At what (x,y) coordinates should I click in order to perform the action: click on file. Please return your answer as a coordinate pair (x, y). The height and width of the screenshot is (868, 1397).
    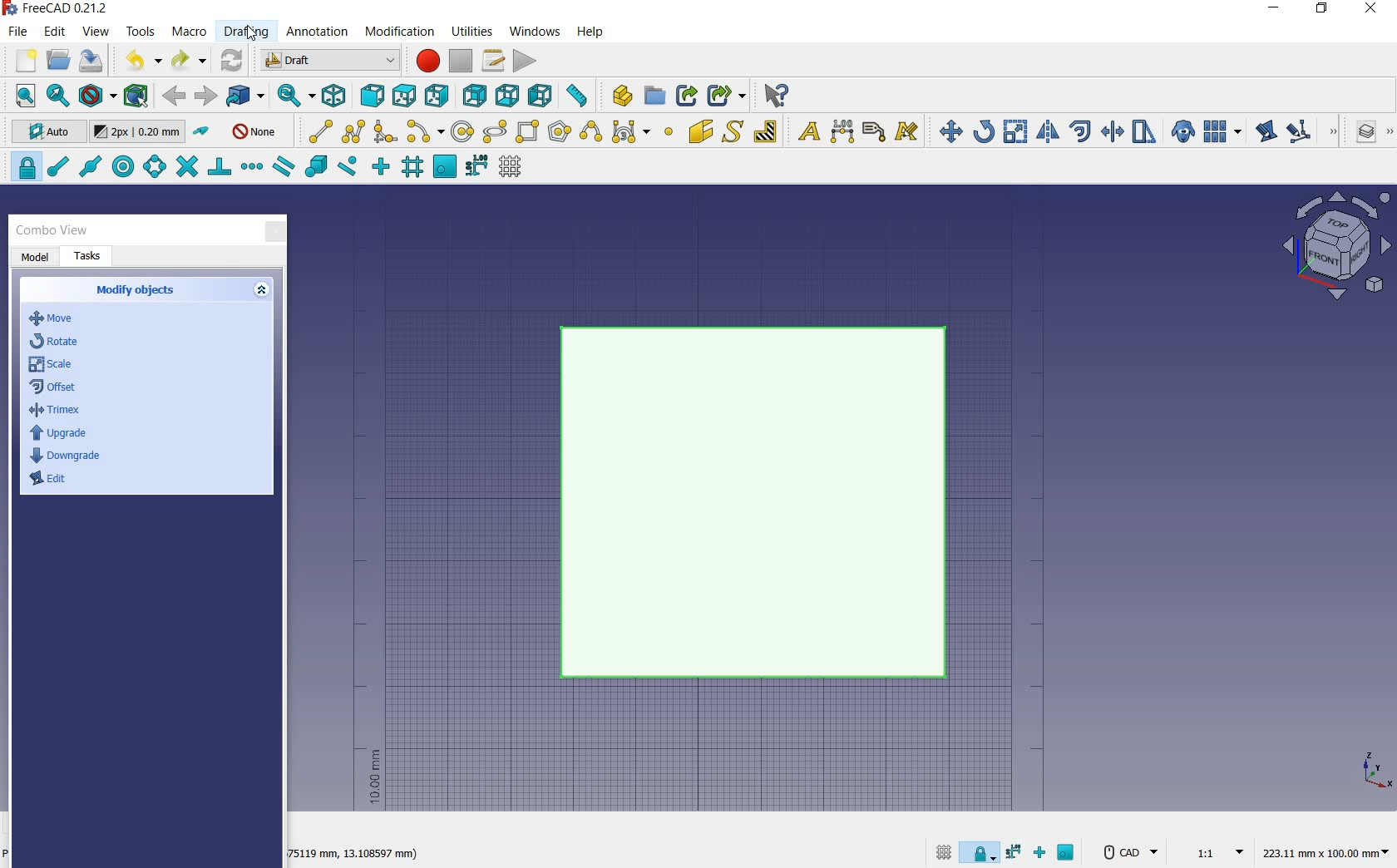
    Looking at the image, I should click on (20, 33).